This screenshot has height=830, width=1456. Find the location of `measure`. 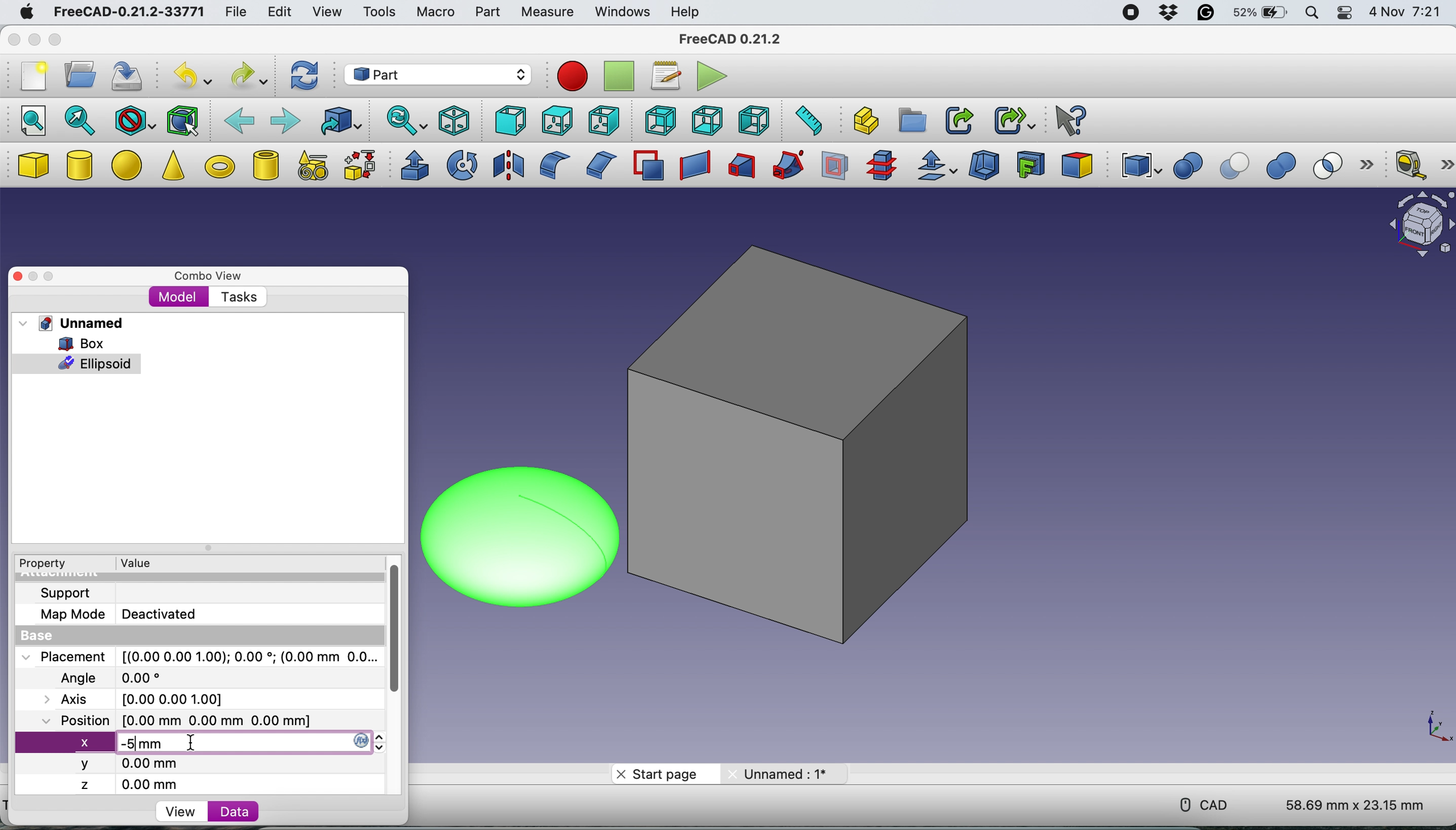

measure is located at coordinates (546, 13).